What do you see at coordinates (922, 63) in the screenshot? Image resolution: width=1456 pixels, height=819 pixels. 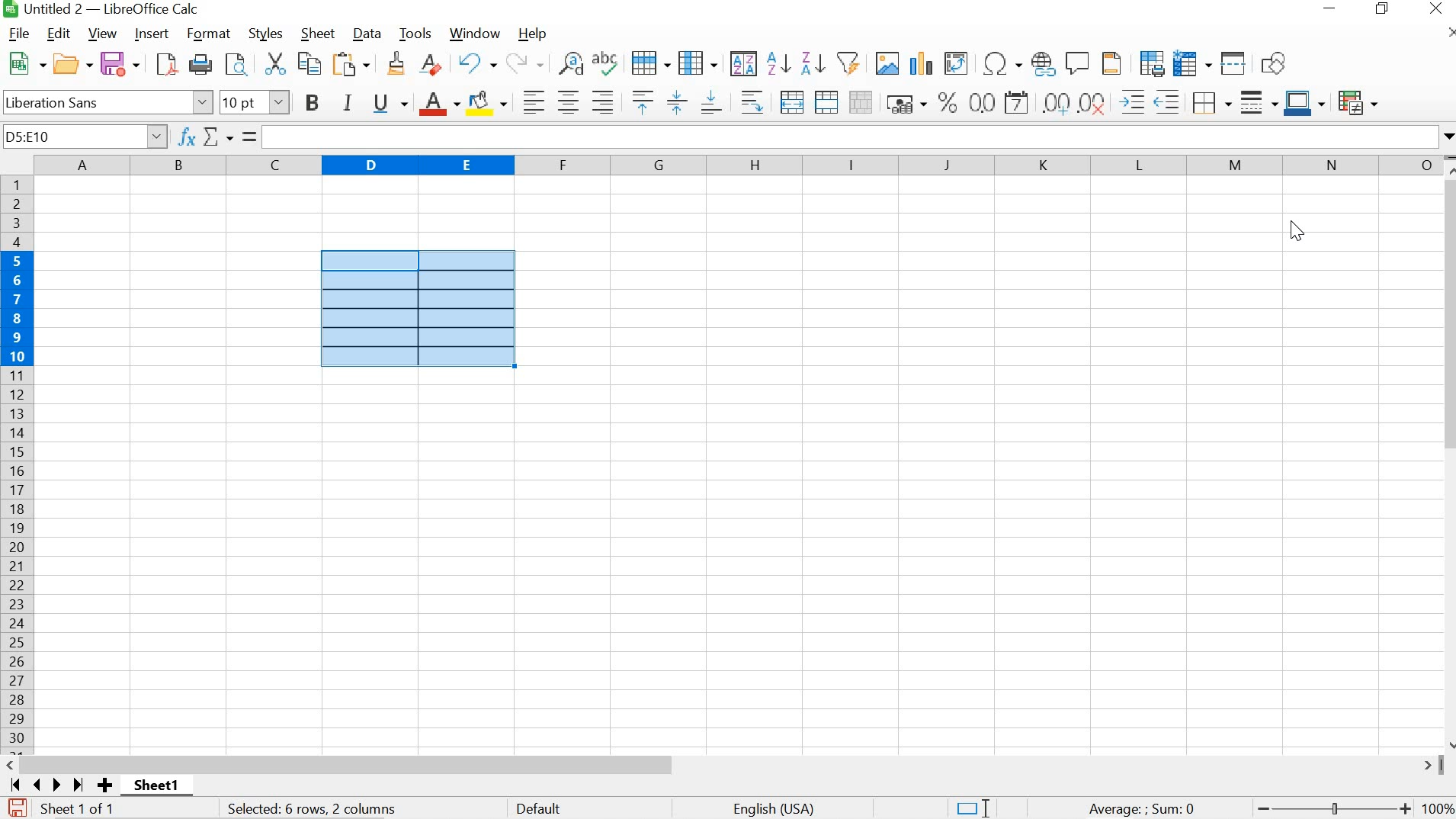 I see `insert chart` at bounding box center [922, 63].